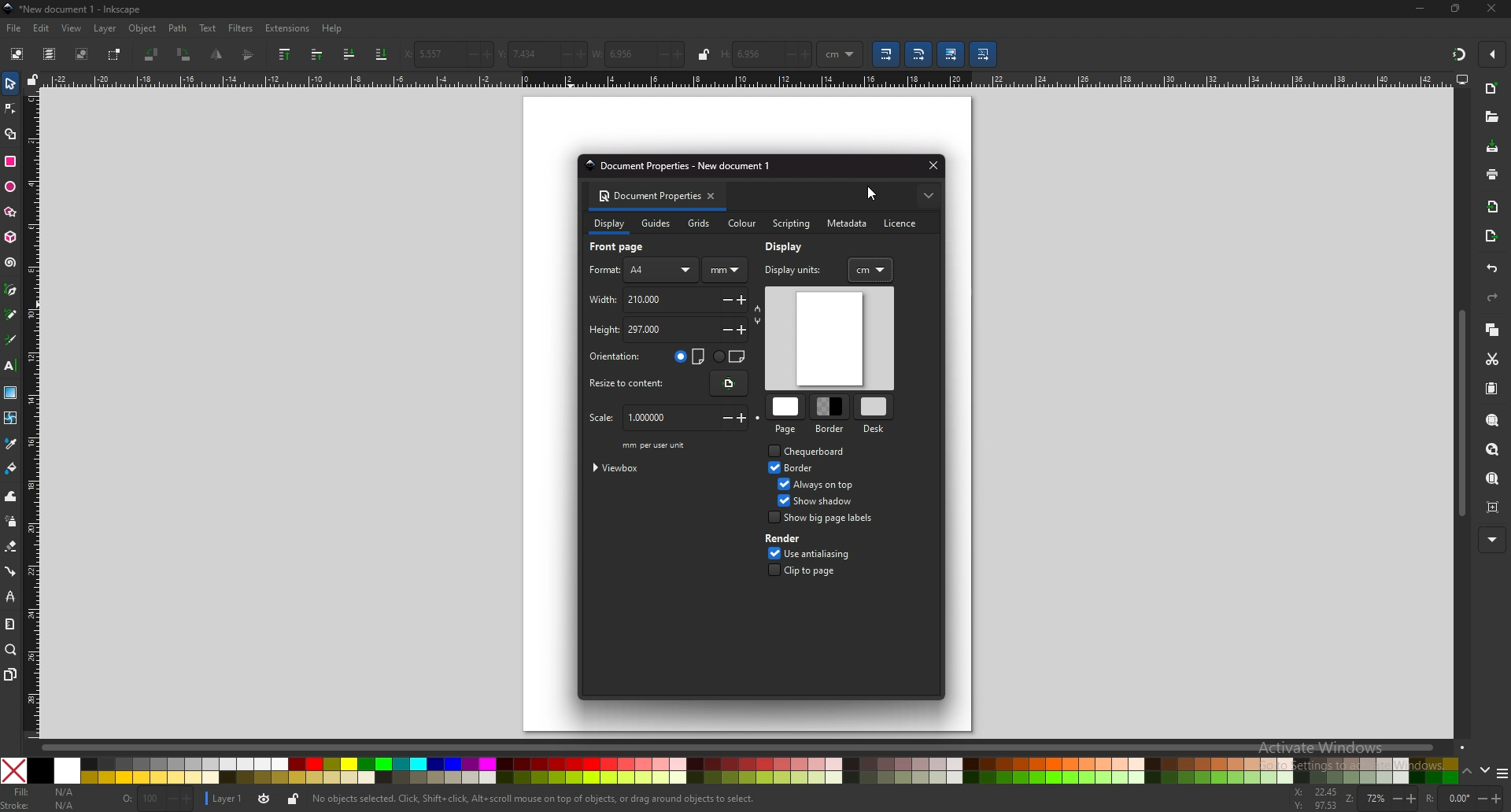 Image resolution: width=1511 pixels, height=812 pixels. I want to click on raise selection to top, so click(285, 54).